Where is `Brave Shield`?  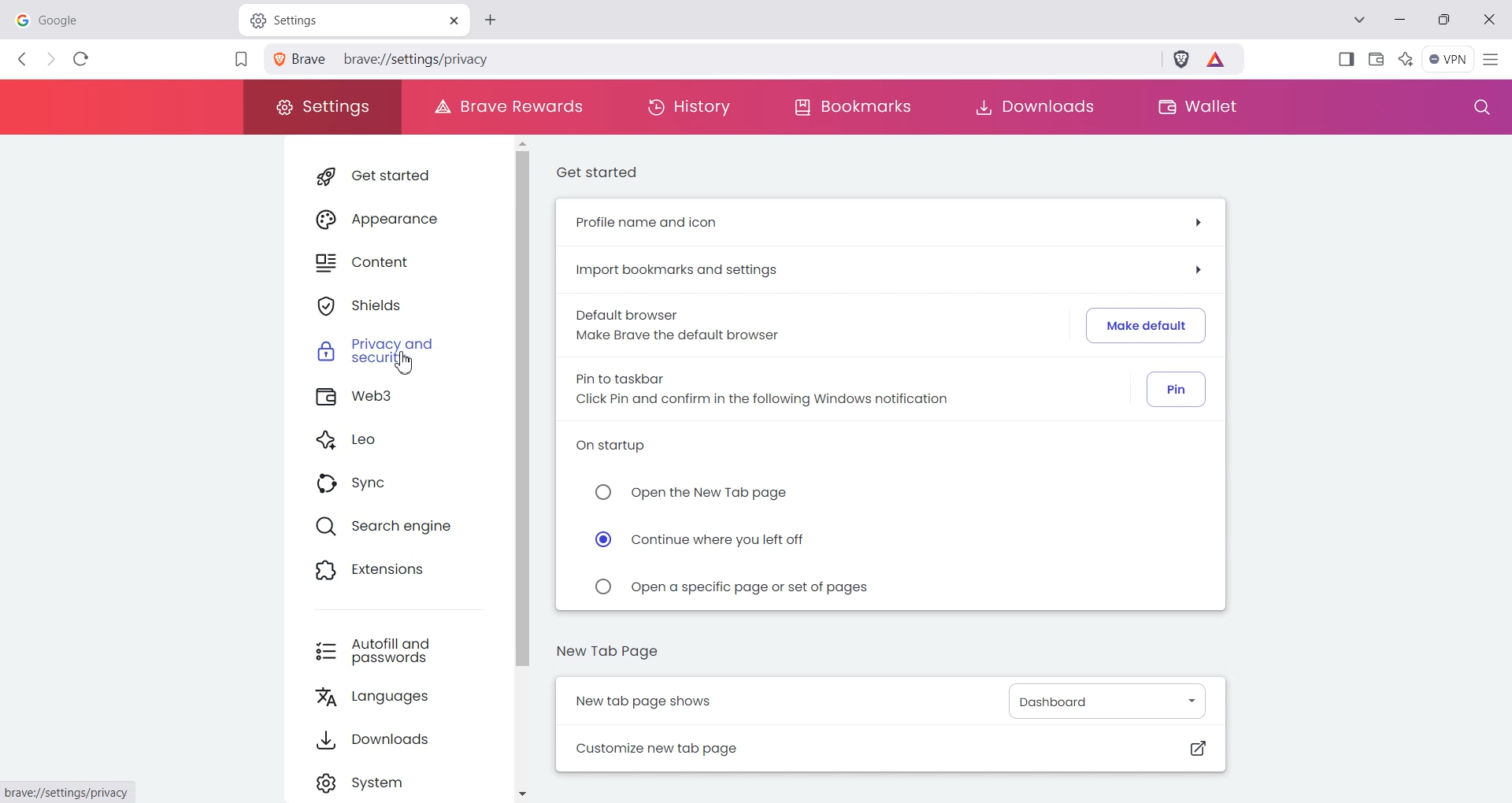
Brave Shield is located at coordinates (1181, 61).